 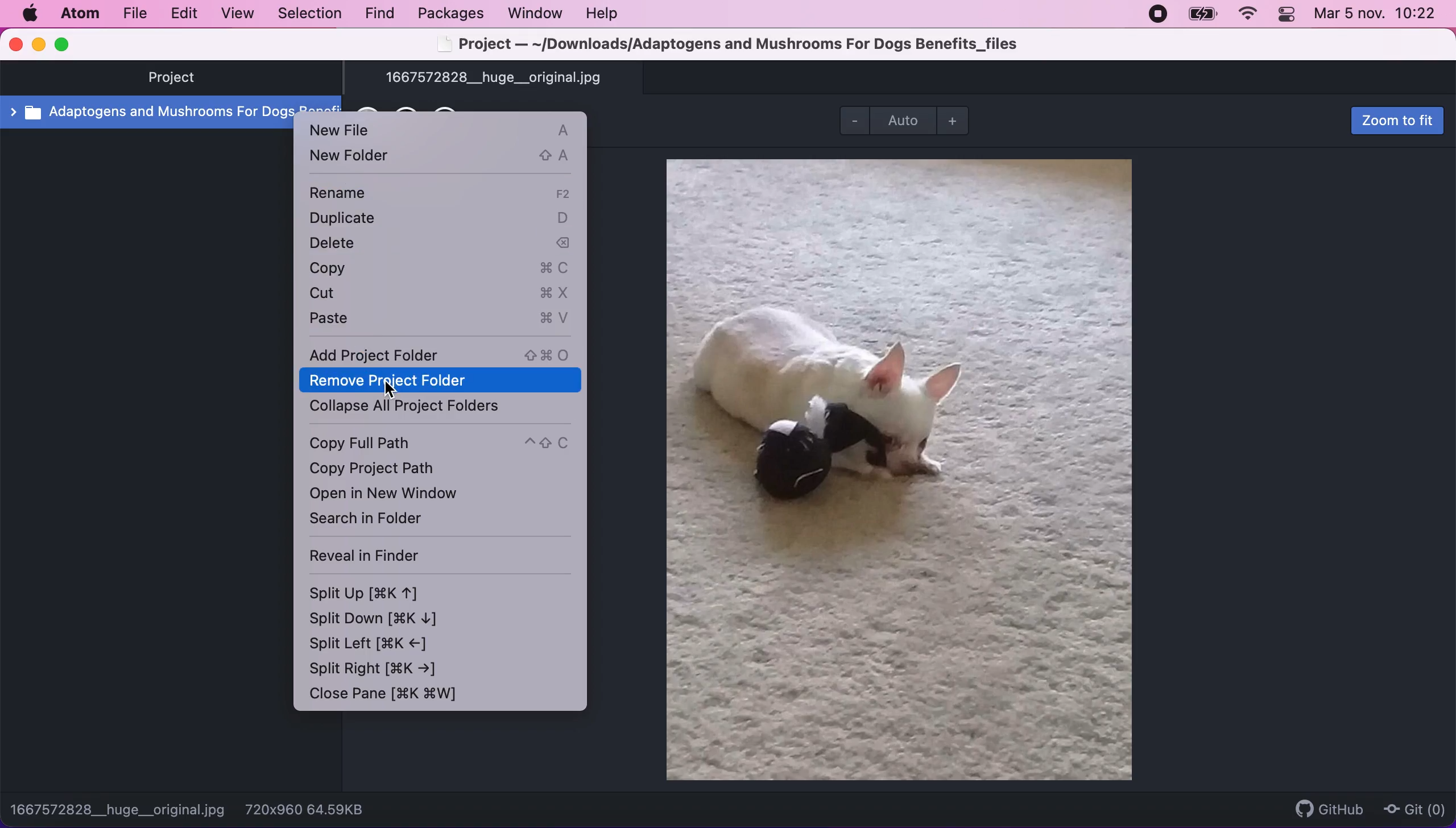 What do you see at coordinates (379, 669) in the screenshot?
I see `split right` at bounding box center [379, 669].